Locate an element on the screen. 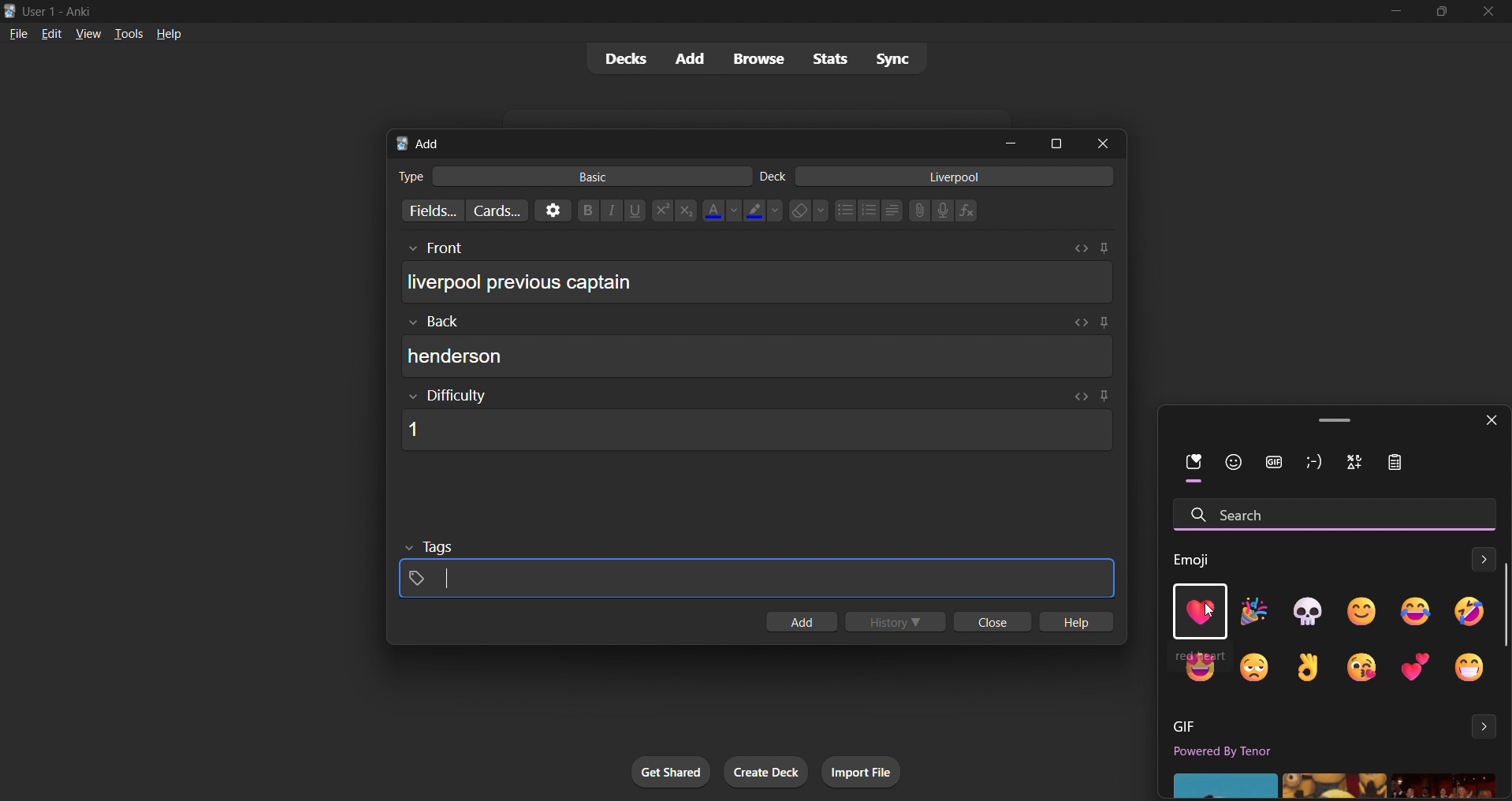  minimize is located at coordinates (1014, 144).